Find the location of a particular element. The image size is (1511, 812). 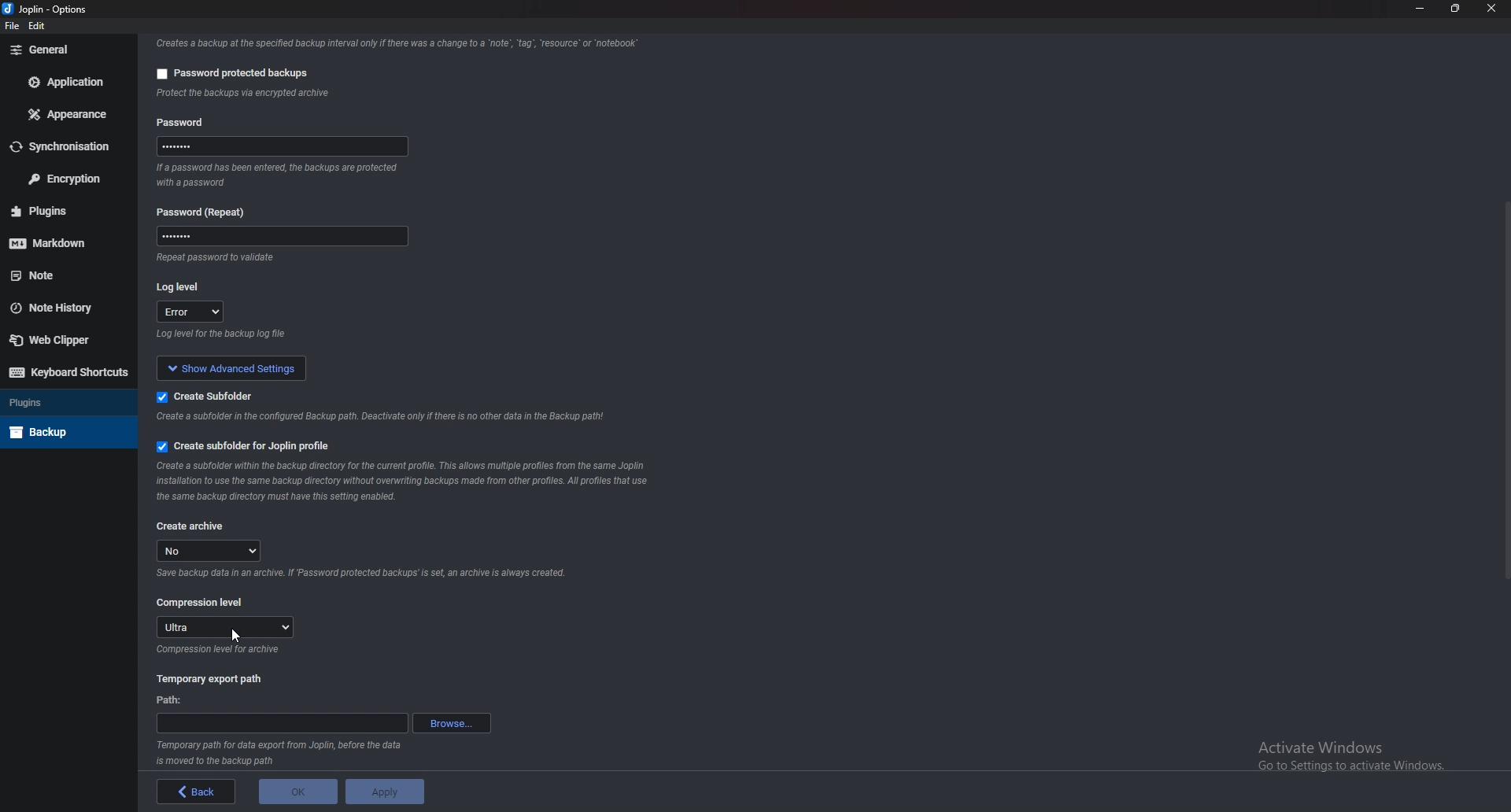

Markdown is located at coordinates (67, 241).